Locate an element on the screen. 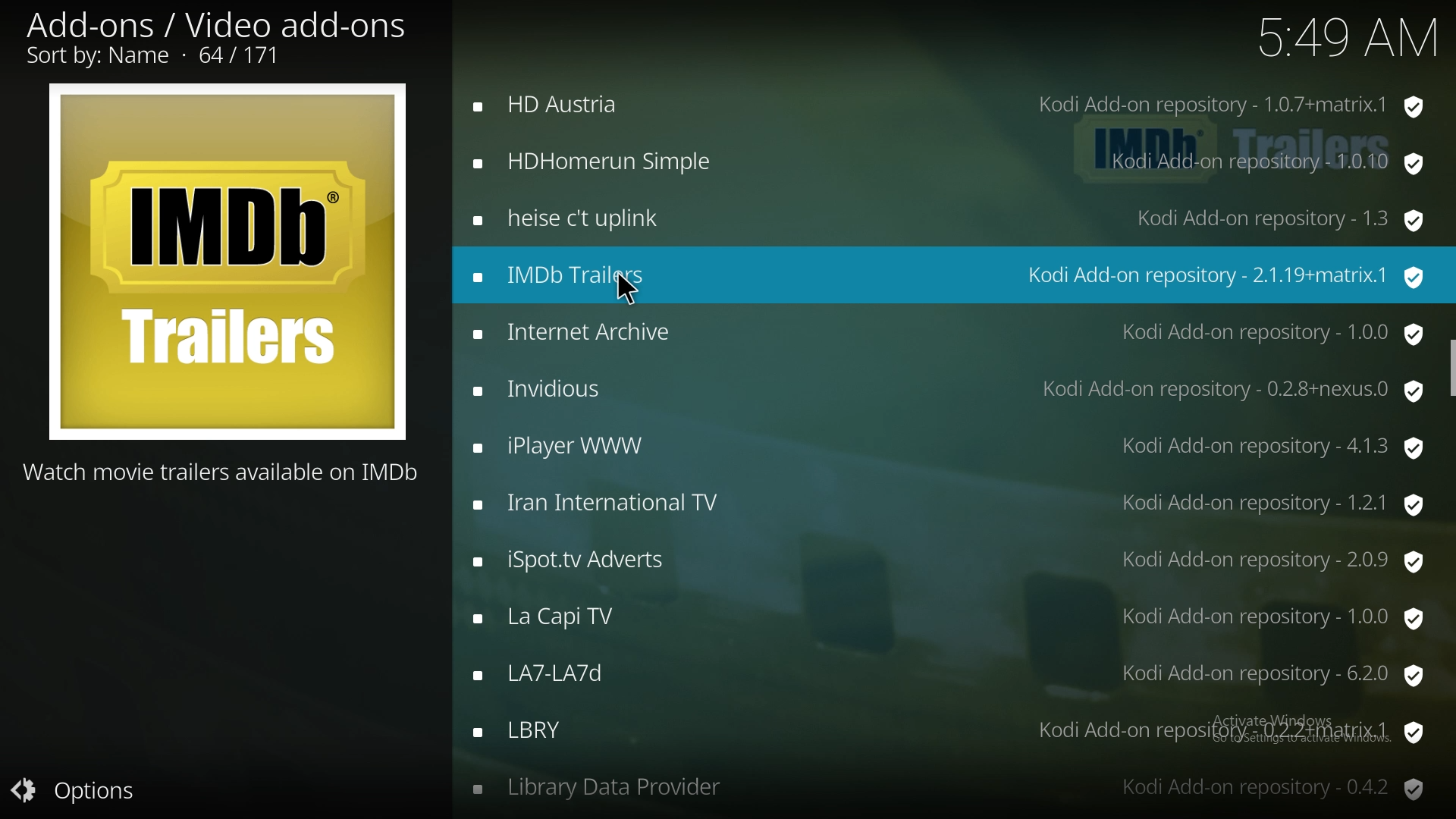 This screenshot has height=819, width=1456. cursor is located at coordinates (626, 291).